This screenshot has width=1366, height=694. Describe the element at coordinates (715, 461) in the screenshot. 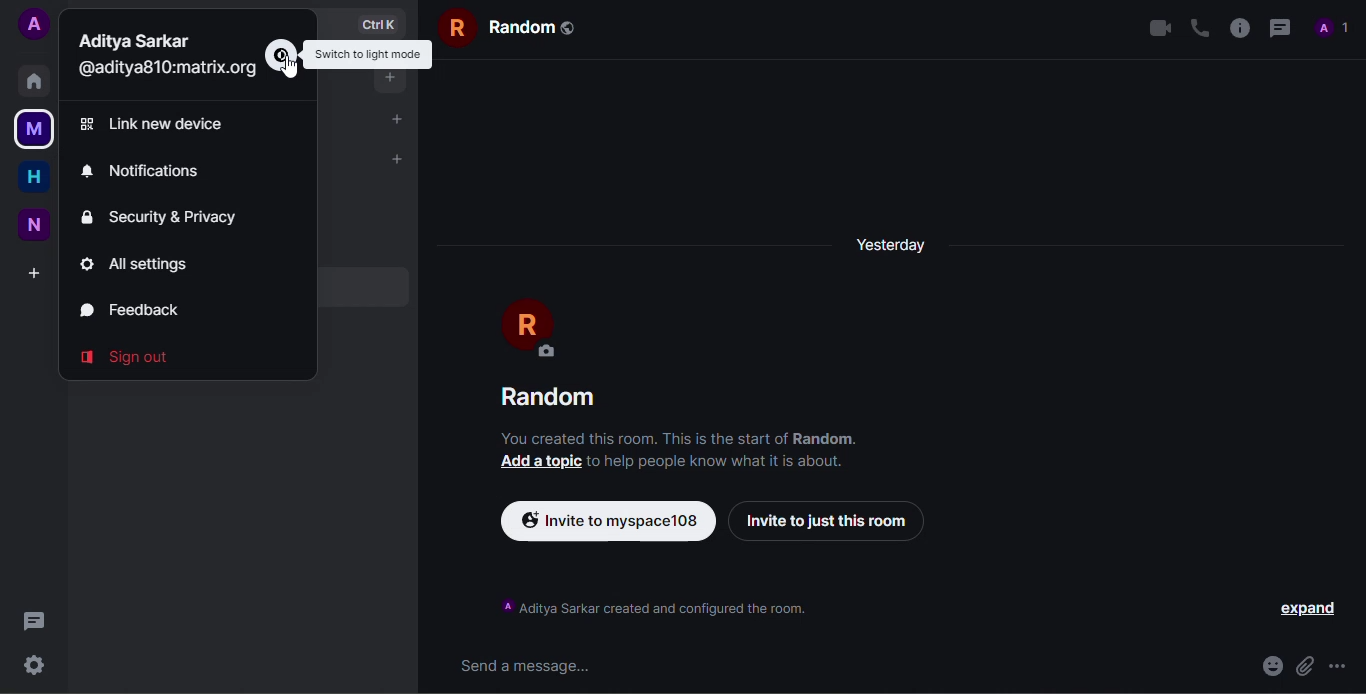

I see `to help people know what it is about.` at that location.